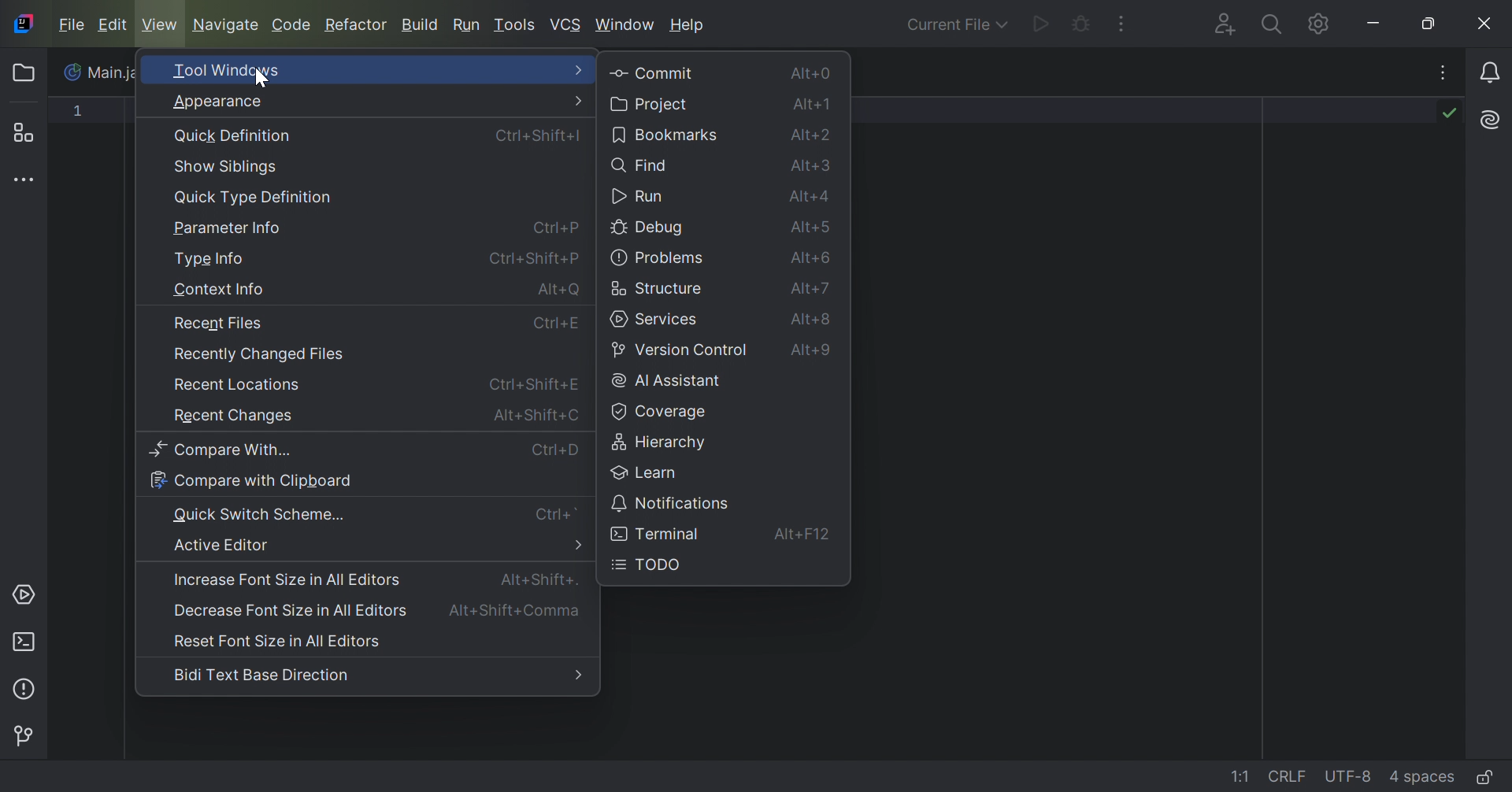  What do you see at coordinates (662, 440) in the screenshot?
I see `Hierarchy` at bounding box center [662, 440].